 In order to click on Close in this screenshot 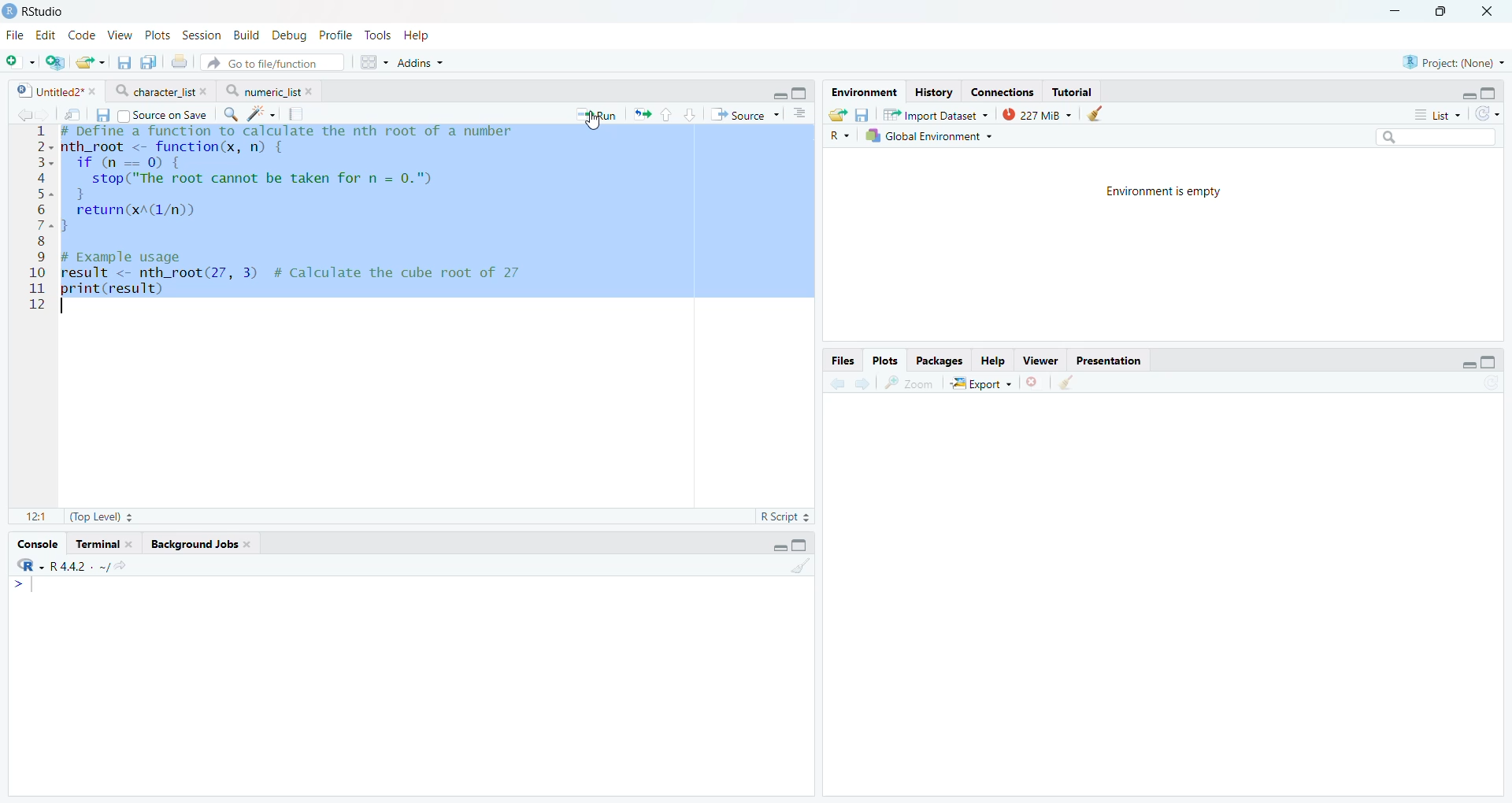, I will do `click(1491, 12)`.